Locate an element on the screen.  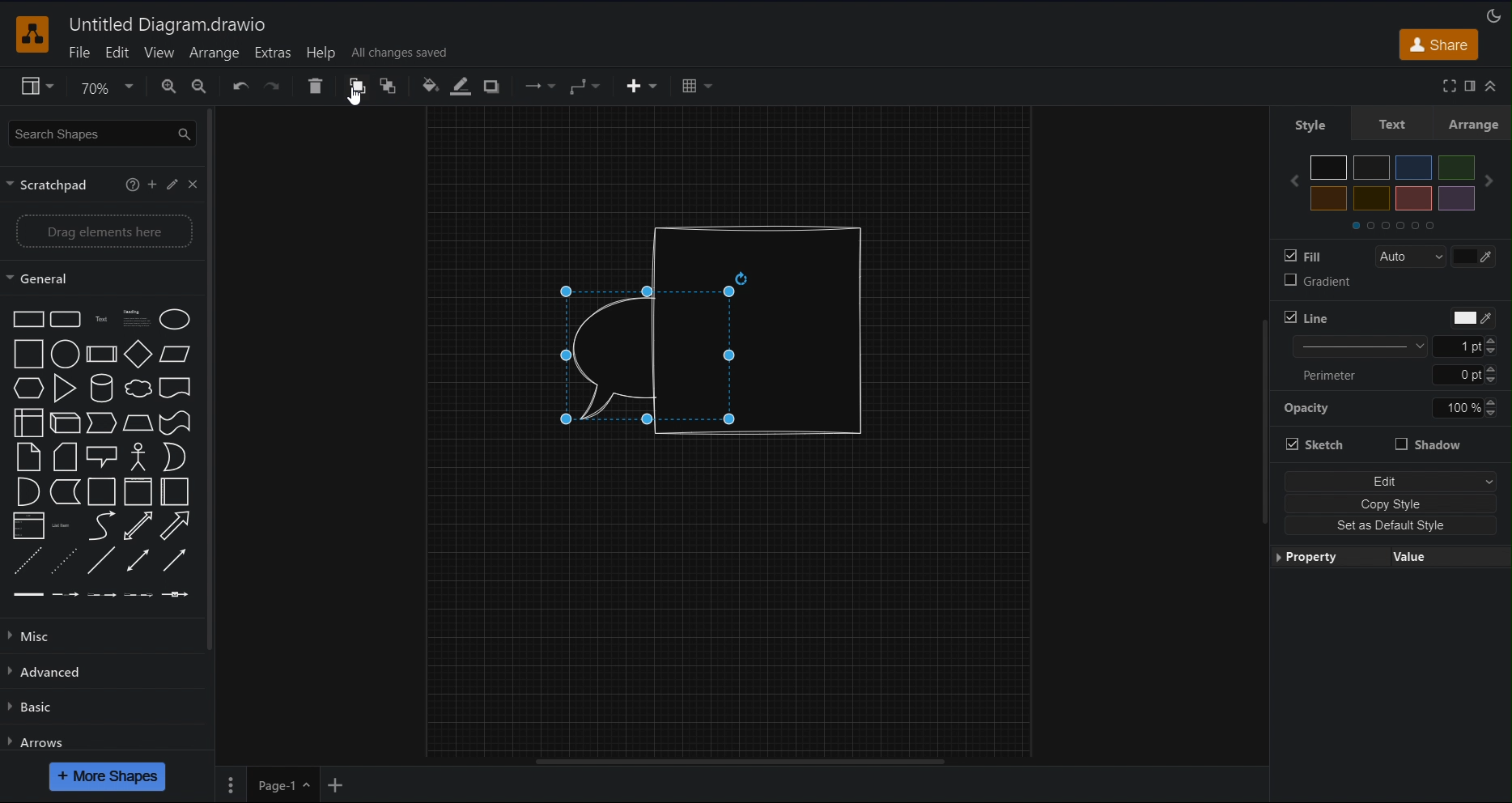
Collapse is located at coordinates (1491, 86).